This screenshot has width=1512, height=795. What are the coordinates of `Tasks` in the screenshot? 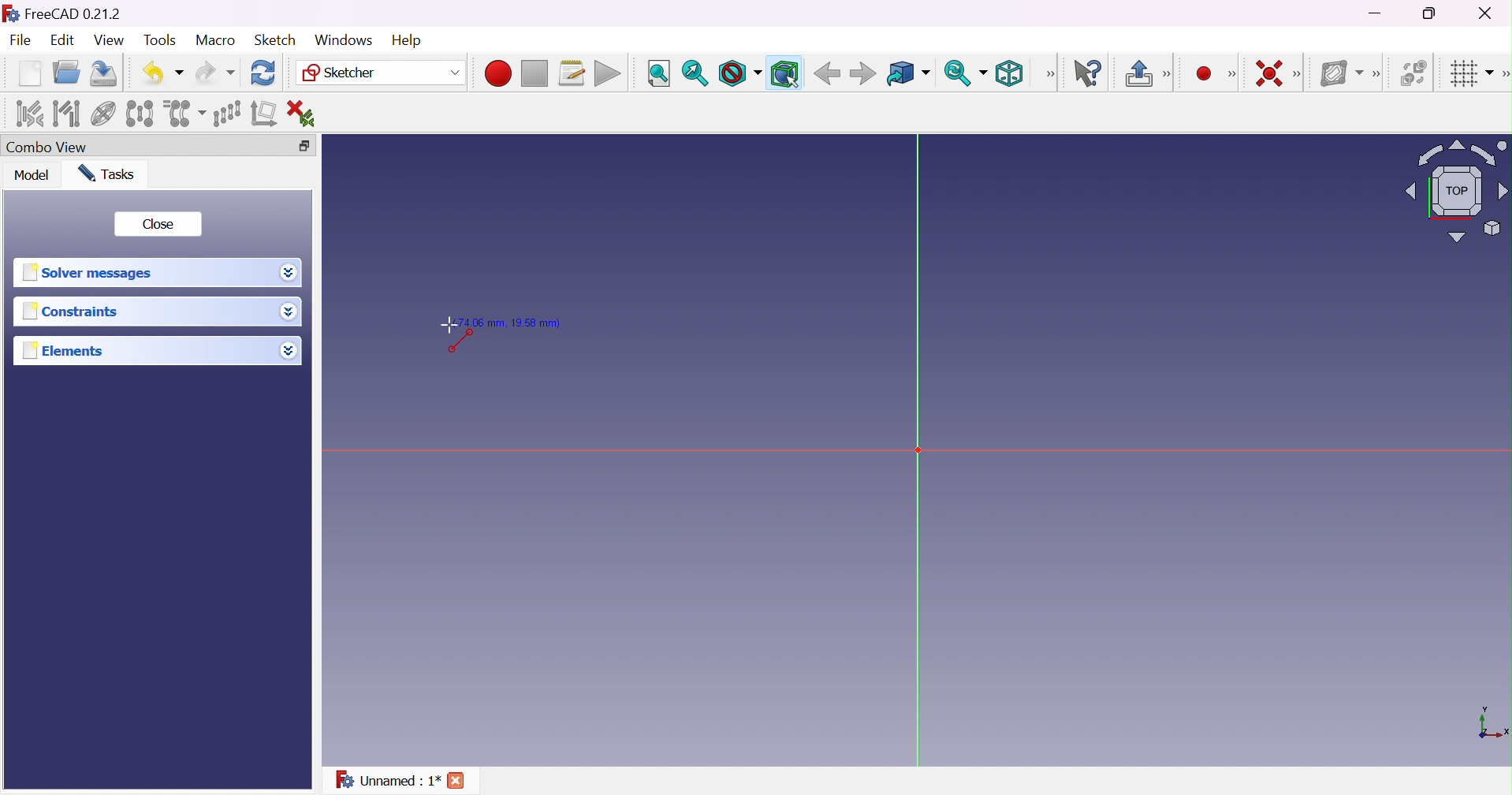 It's located at (112, 174).